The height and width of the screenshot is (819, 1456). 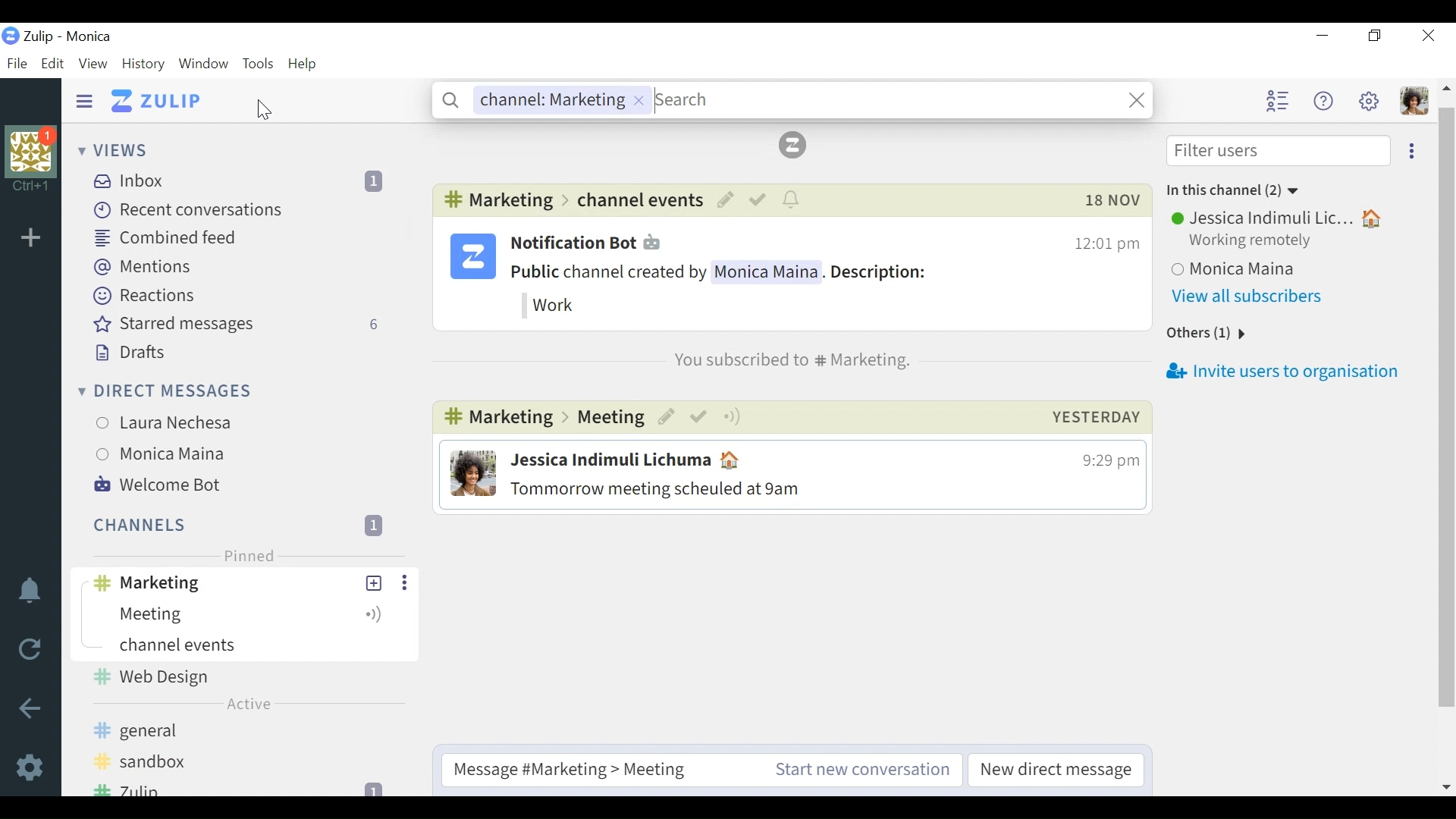 I want to click on notifications, so click(x=31, y=592).